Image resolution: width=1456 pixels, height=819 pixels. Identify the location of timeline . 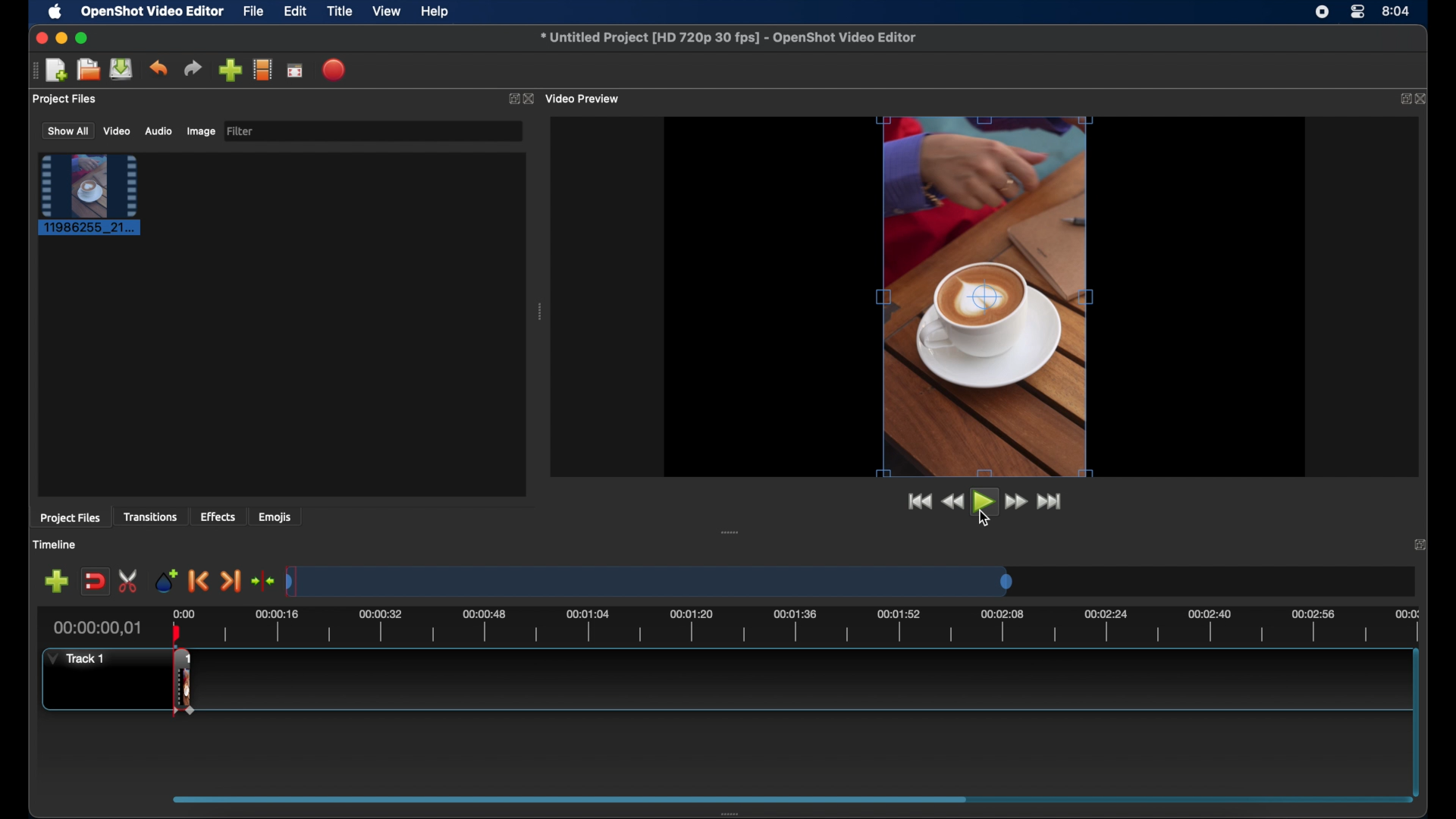
(814, 625).